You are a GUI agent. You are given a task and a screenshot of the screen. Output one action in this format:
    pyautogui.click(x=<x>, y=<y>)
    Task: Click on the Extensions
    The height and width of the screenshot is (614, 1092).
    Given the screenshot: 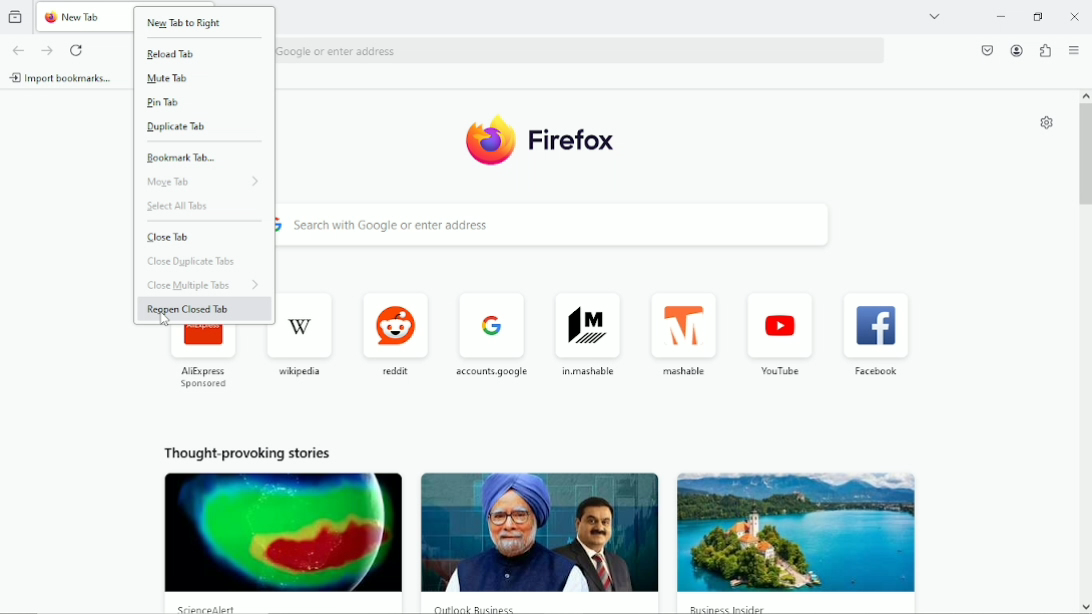 What is the action you would take?
    pyautogui.click(x=1045, y=51)
    